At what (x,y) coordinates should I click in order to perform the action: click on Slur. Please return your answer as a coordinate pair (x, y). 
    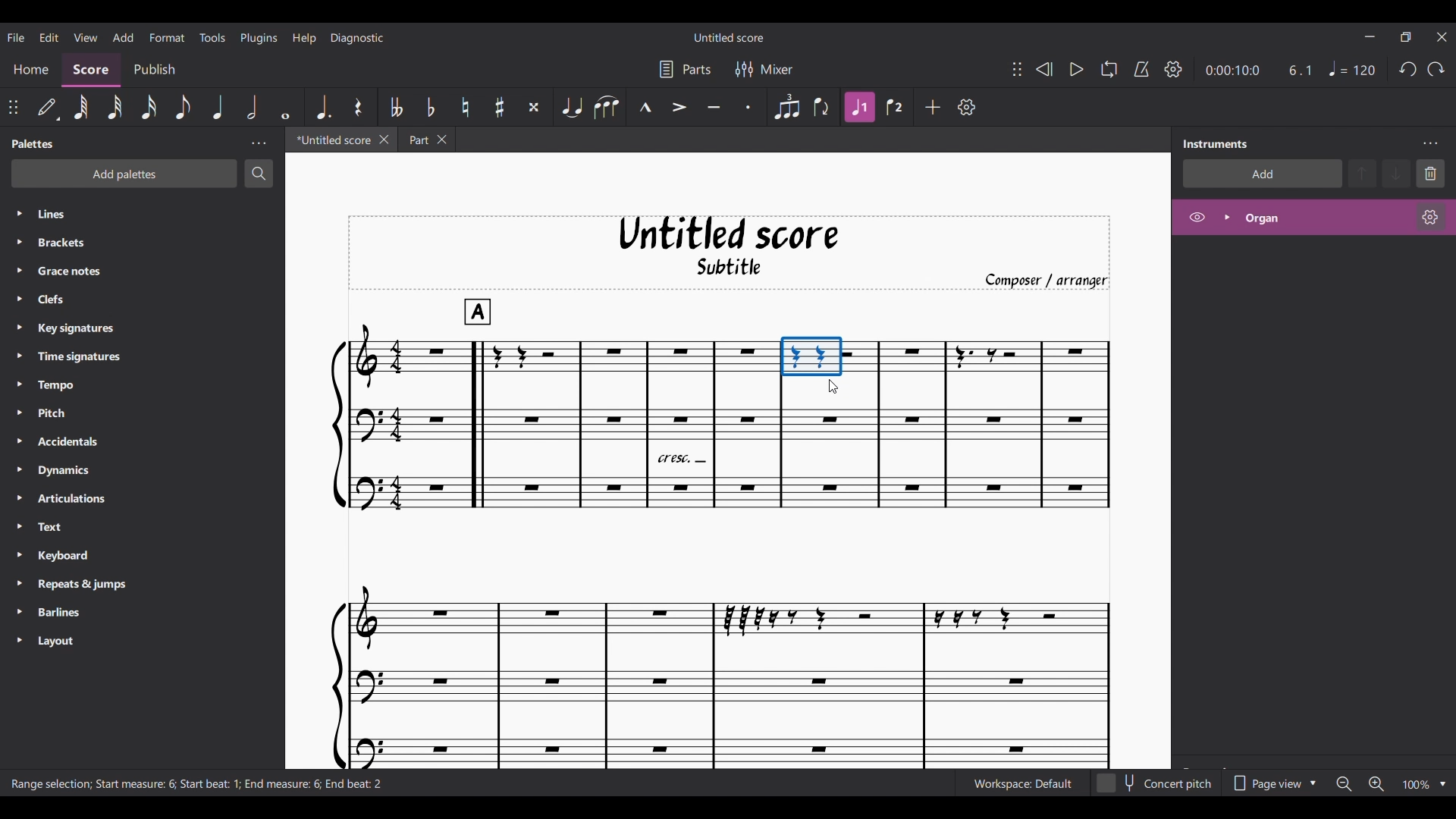
    Looking at the image, I should click on (605, 107).